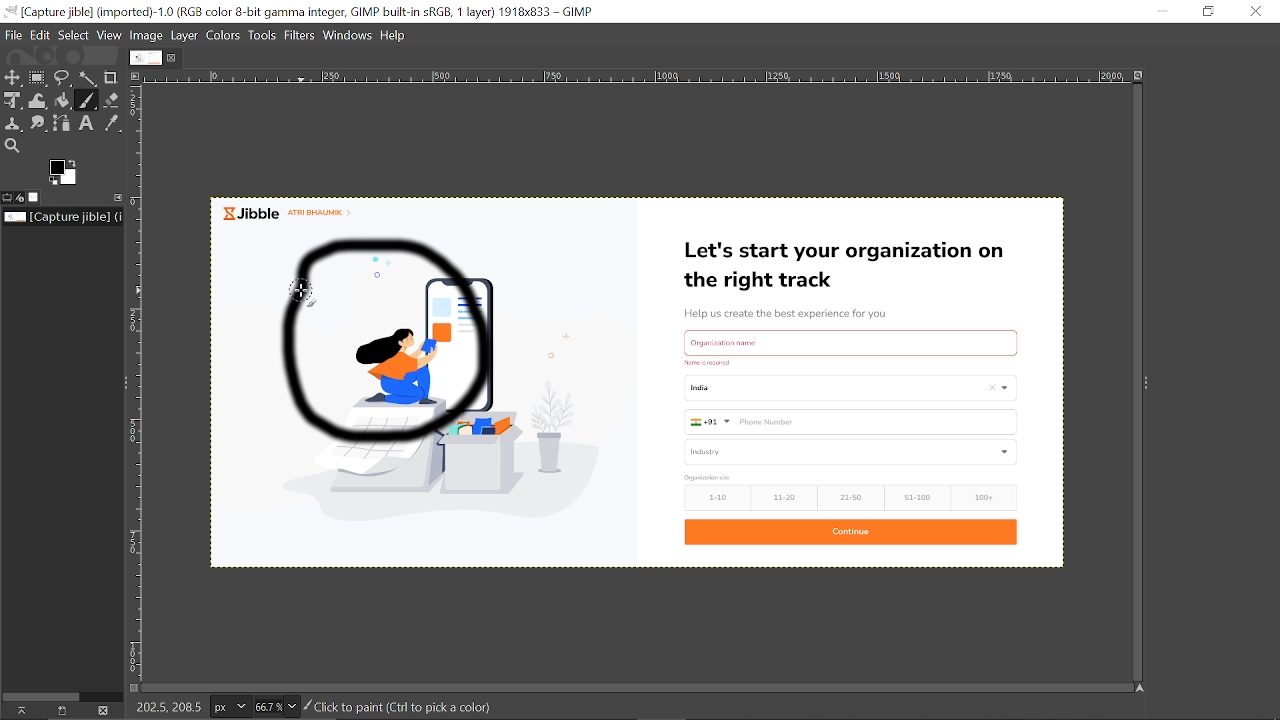 The width and height of the screenshot is (1280, 720). Describe the element at coordinates (88, 80) in the screenshot. I see `Fuzzy select tool ` at that location.